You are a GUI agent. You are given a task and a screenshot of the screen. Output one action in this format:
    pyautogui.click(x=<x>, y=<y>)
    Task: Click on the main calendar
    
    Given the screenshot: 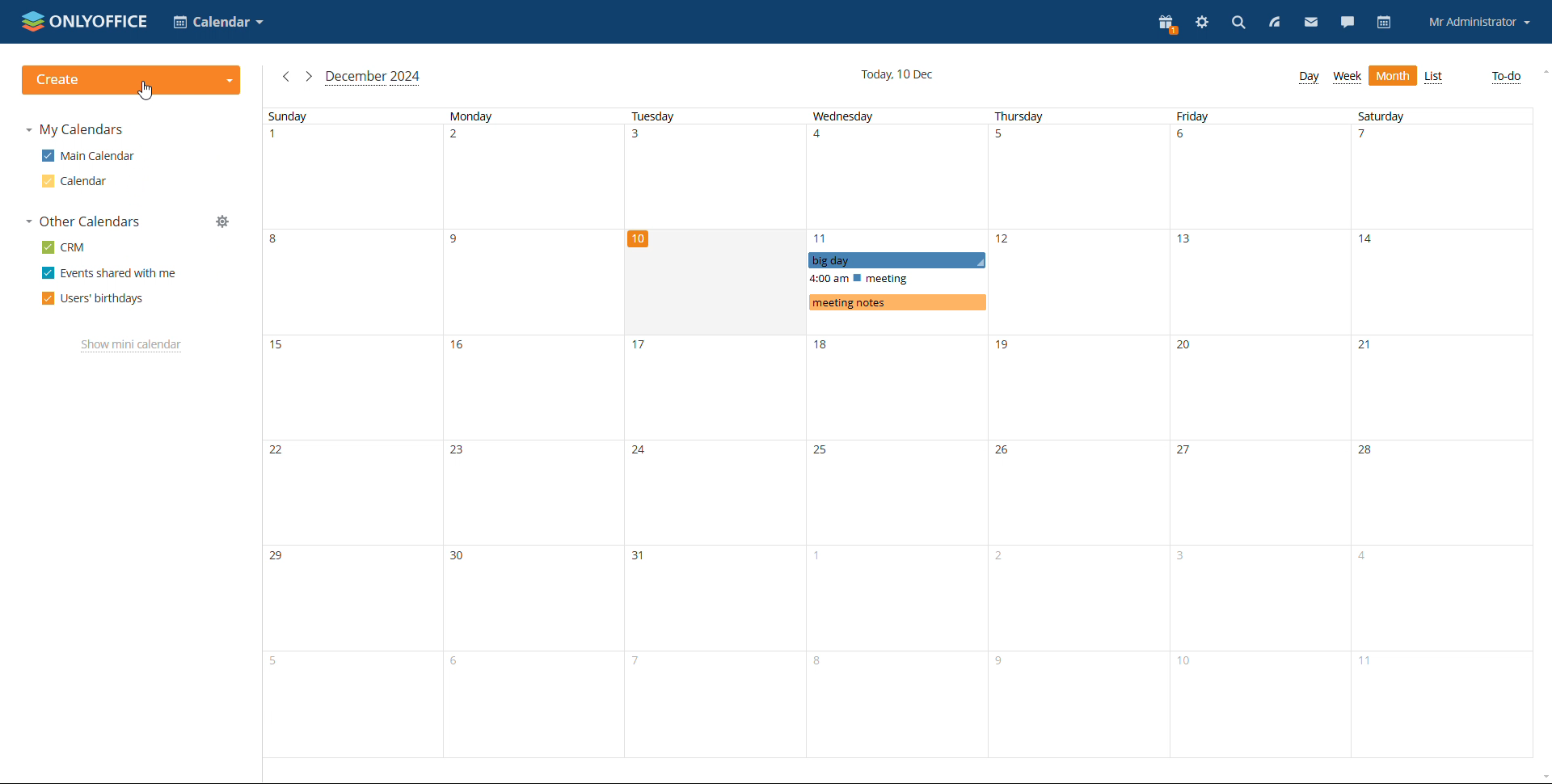 What is the action you would take?
    pyautogui.click(x=89, y=156)
    